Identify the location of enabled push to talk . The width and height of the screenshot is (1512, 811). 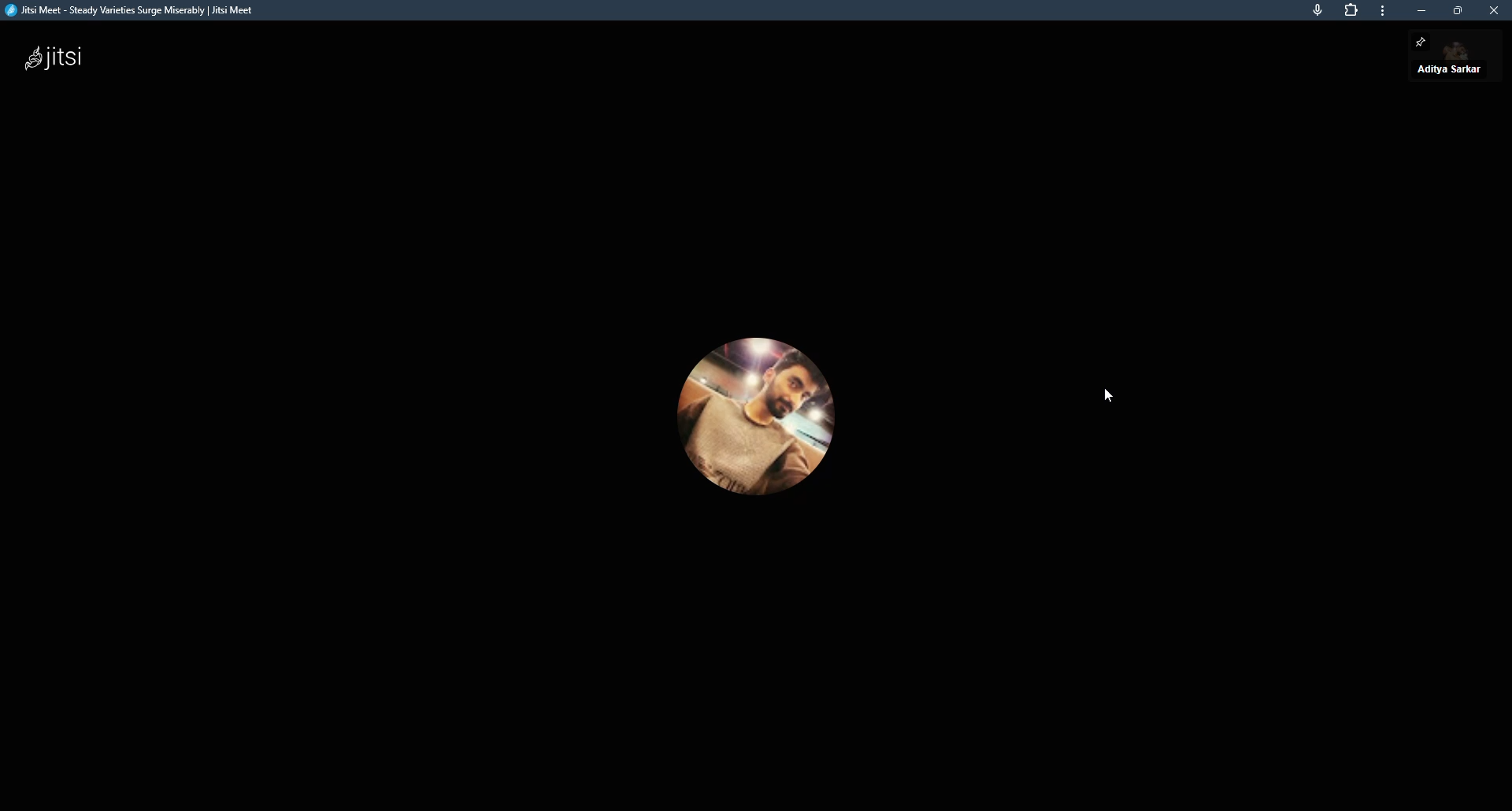
(1448, 68).